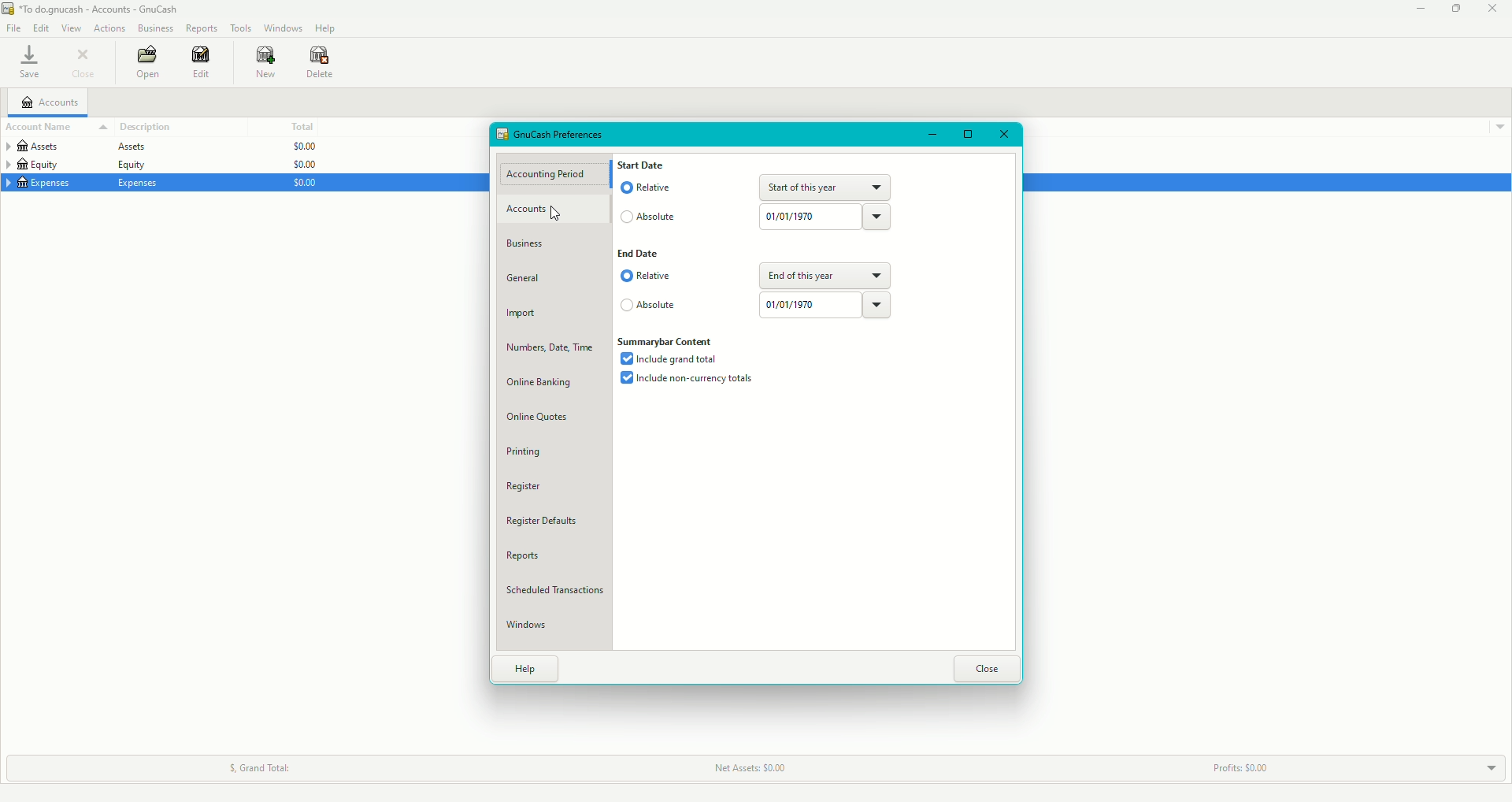  What do you see at coordinates (561, 217) in the screenshot?
I see `cursor` at bounding box center [561, 217].